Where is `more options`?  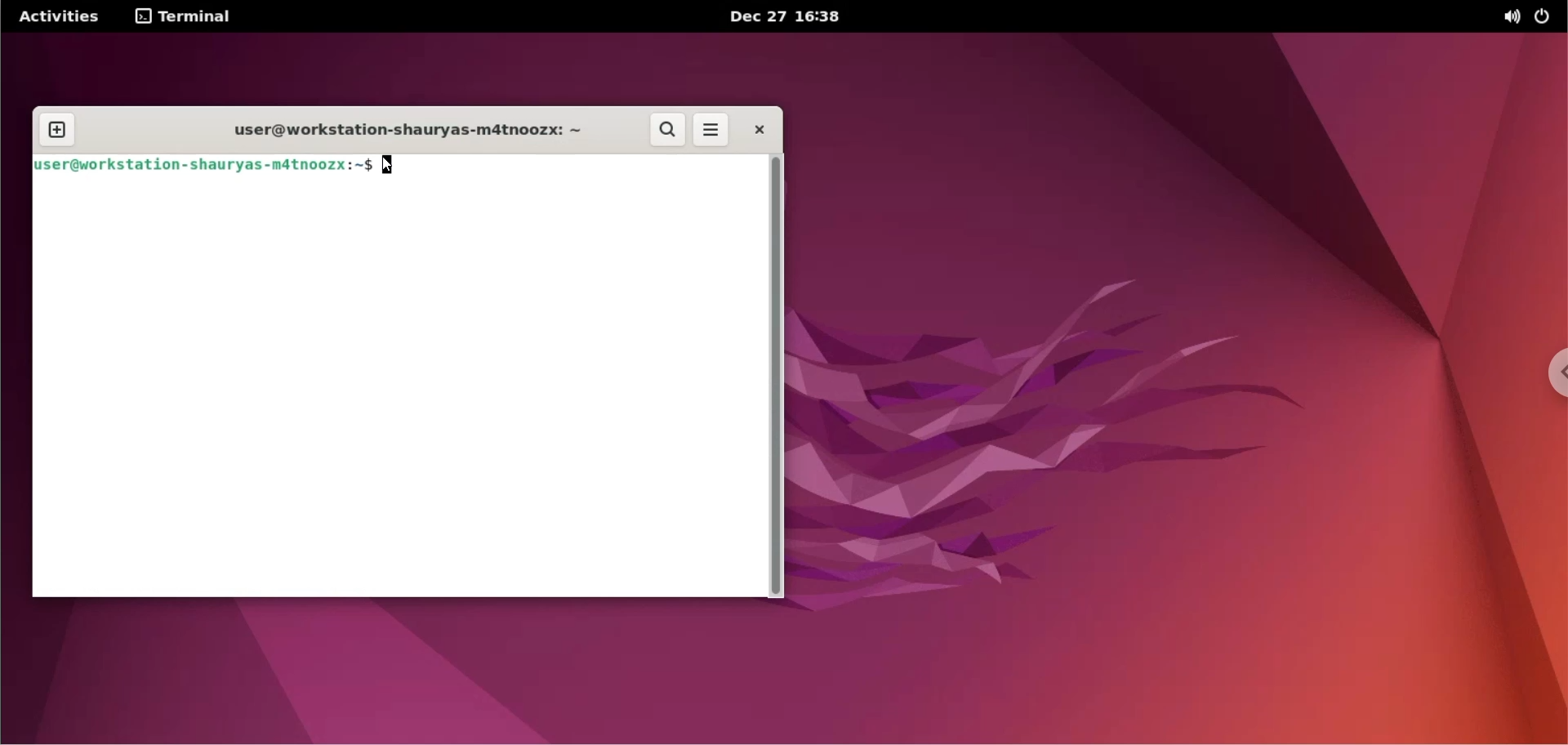 more options is located at coordinates (712, 129).